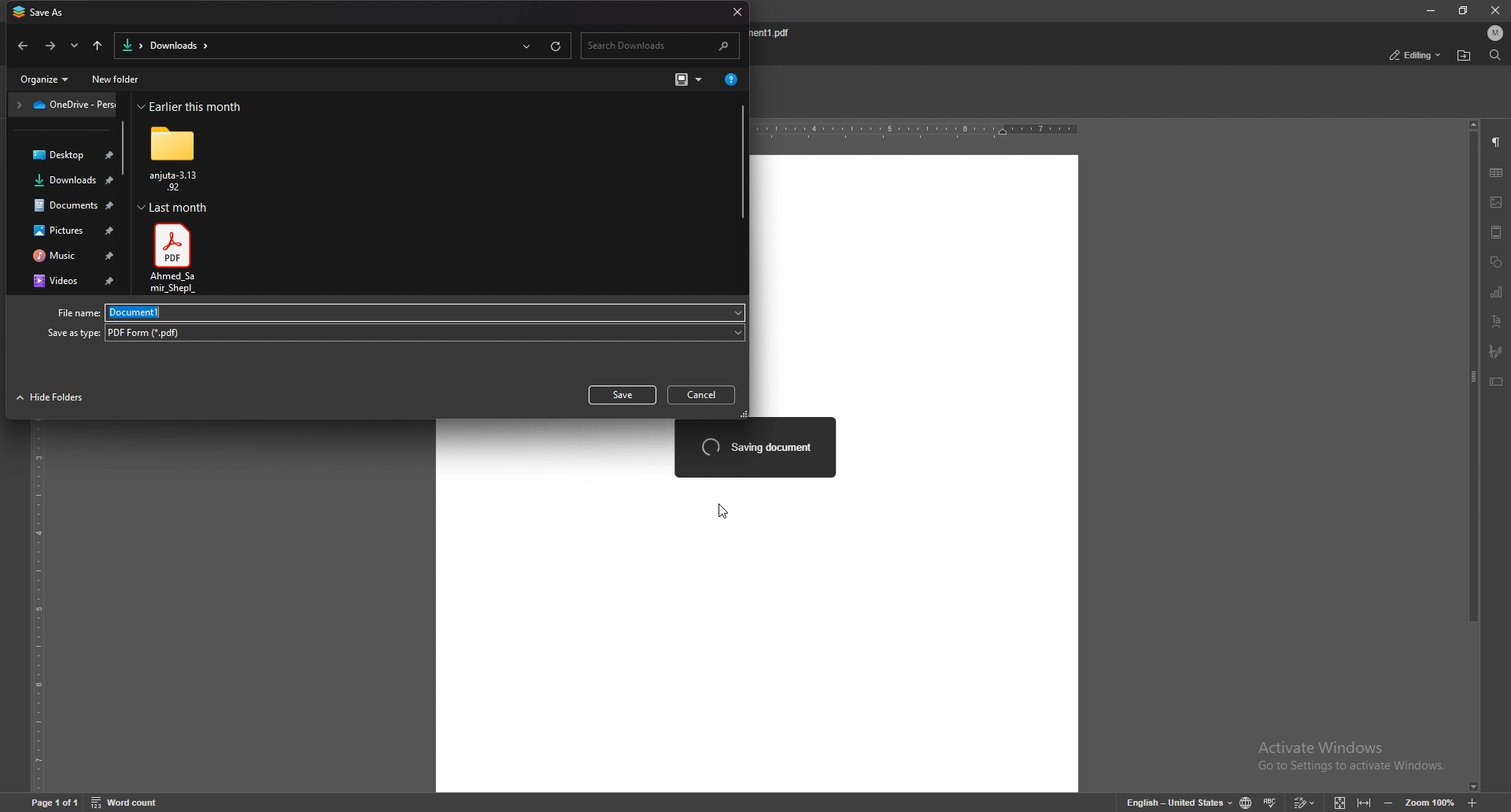 Image resolution: width=1511 pixels, height=812 pixels. What do you see at coordinates (51, 398) in the screenshot?
I see `hide folders` at bounding box center [51, 398].